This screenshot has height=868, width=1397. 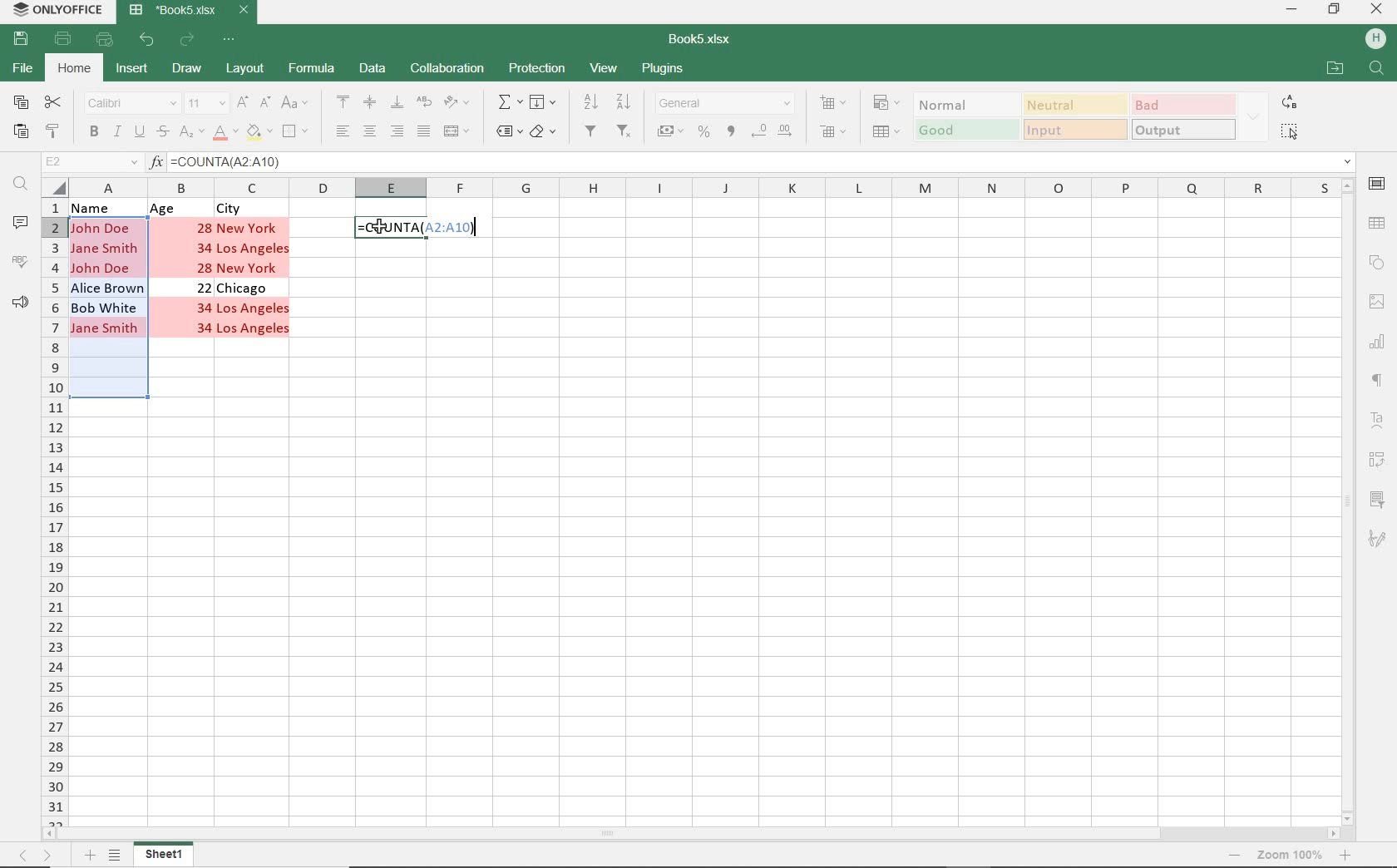 I want to click on FORMULA, so click(x=312, y=72).